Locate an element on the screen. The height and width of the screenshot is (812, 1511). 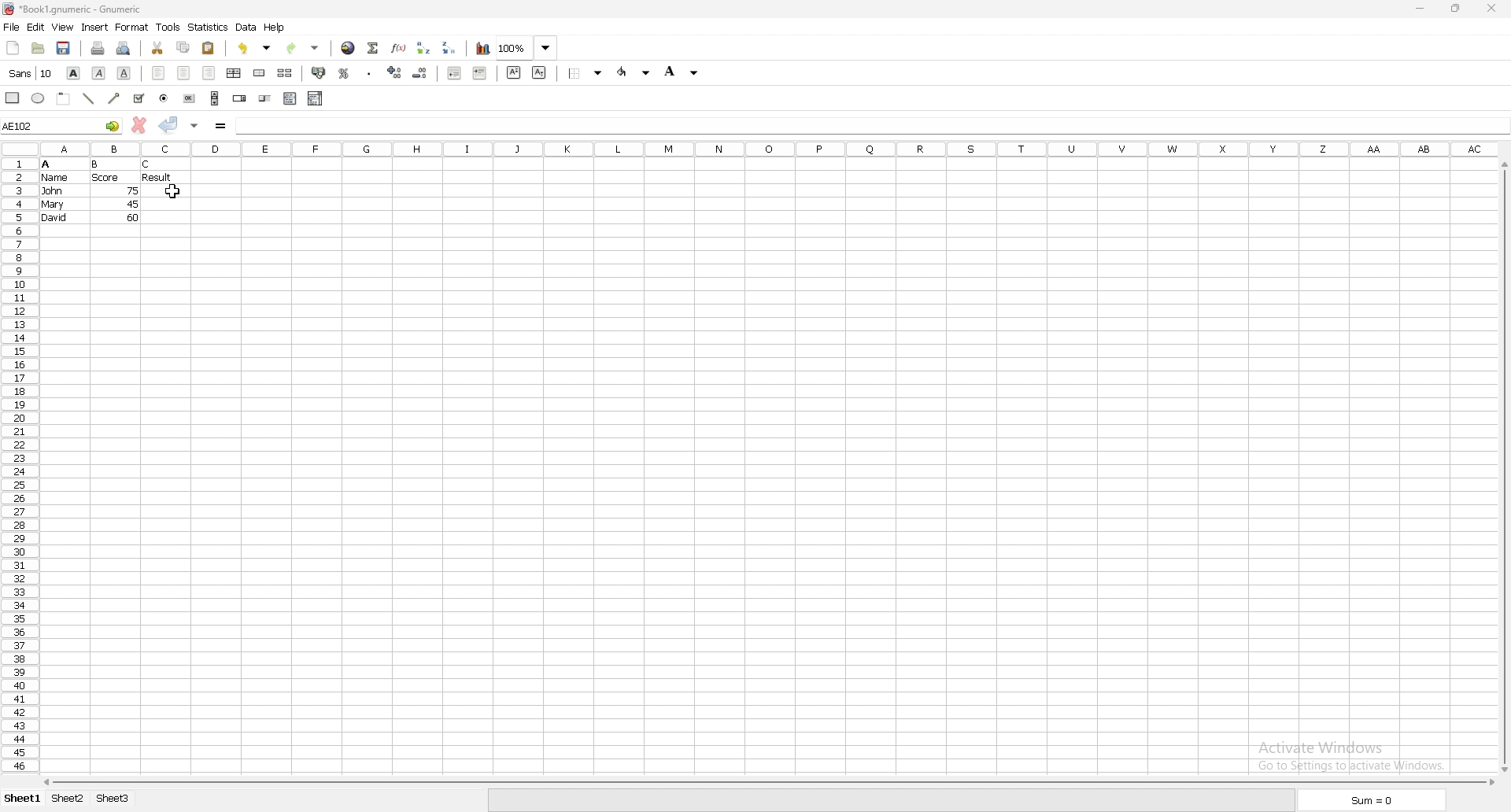
c is located at coordinates (148, 164).